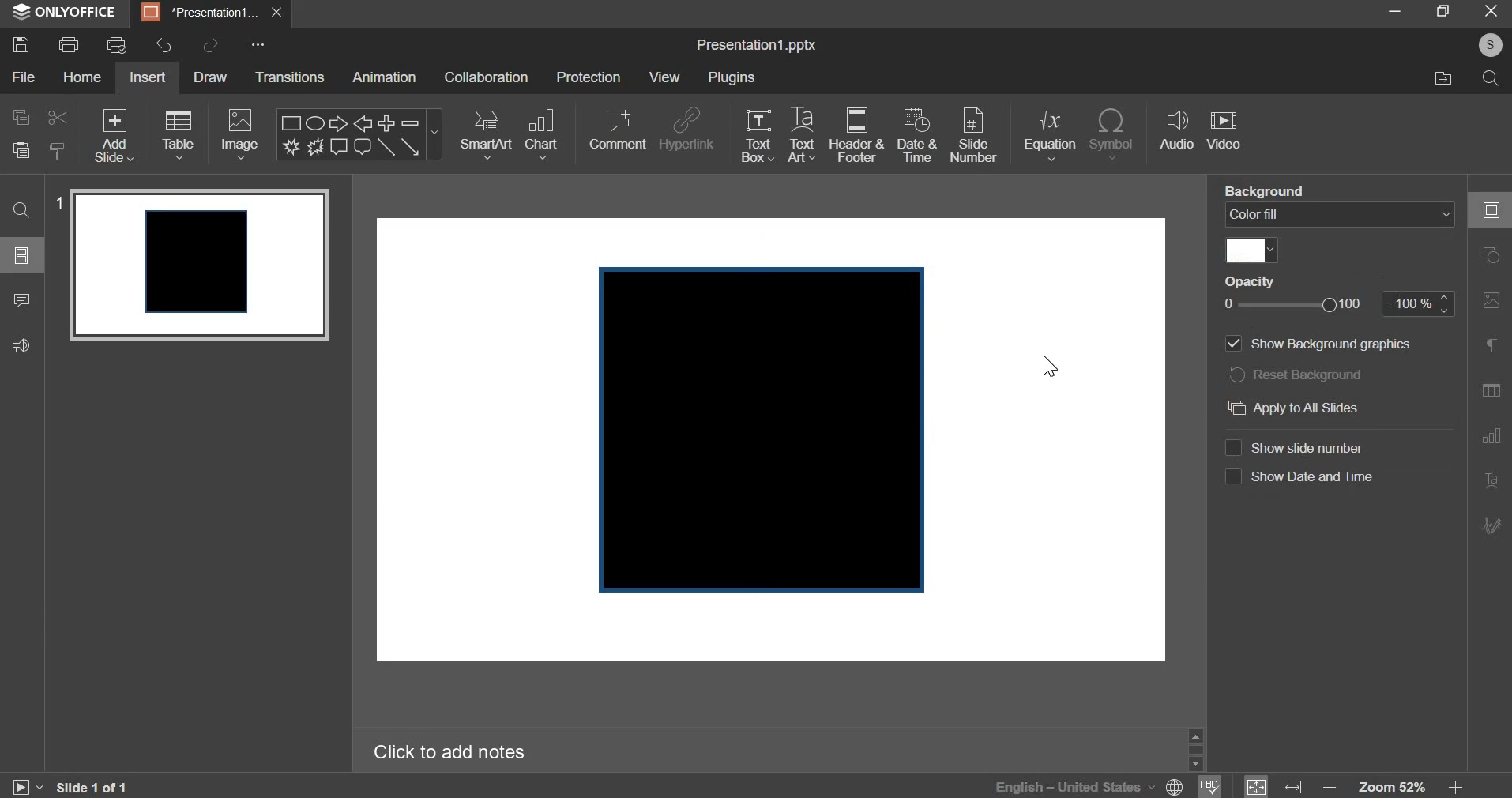  What do you see at coordinates (288, 122) in the screenshot?
I see `Square` at bounding box center [288, 122].